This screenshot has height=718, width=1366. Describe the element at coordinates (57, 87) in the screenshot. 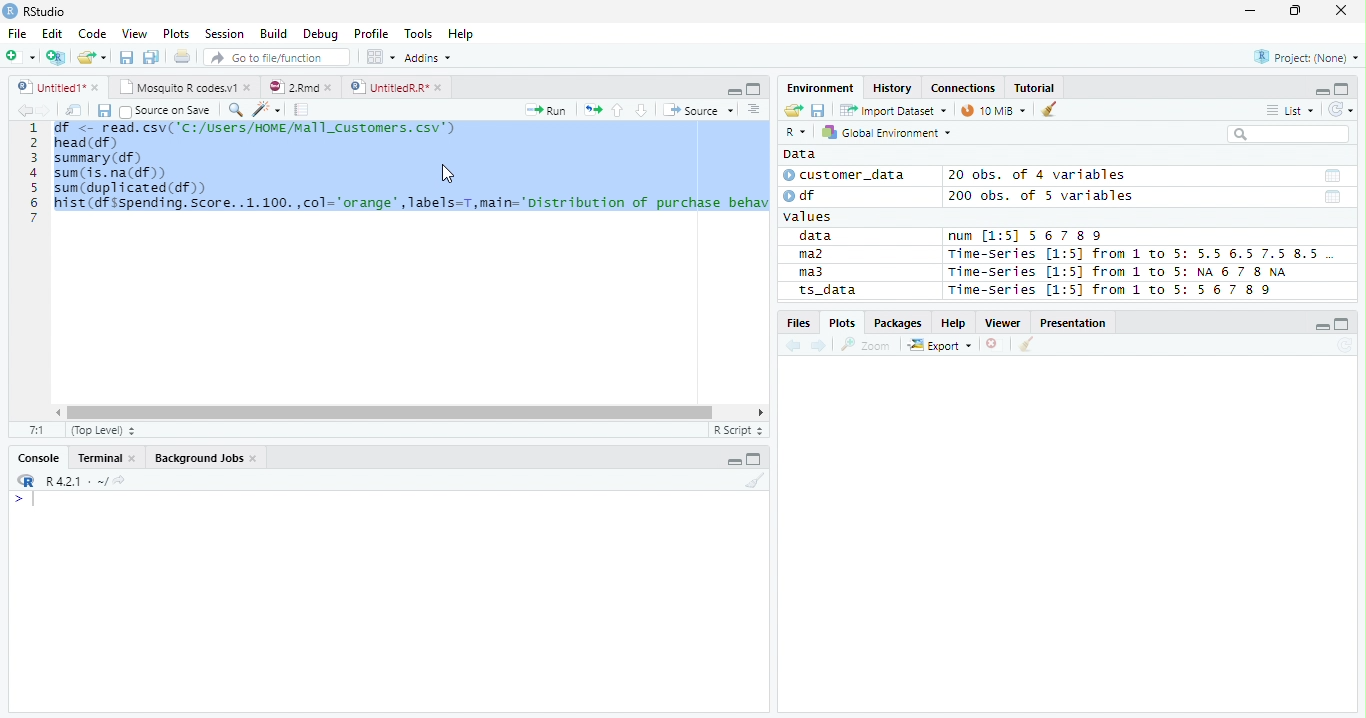

I see `Untitiled1` at that location.